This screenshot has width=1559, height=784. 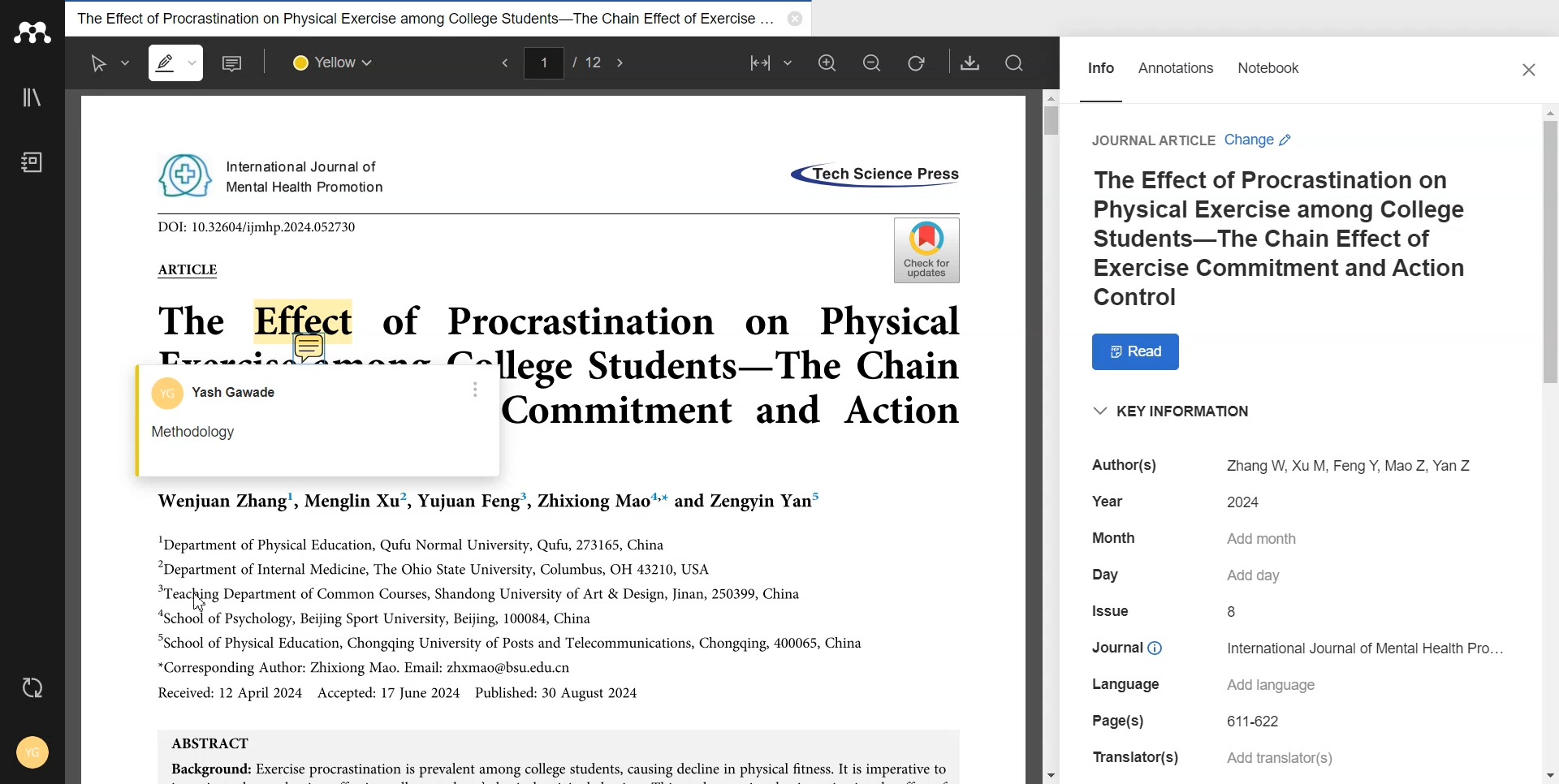 What do you see at coordinates (1198, 539) in the screenshot?
I see `Month Add month` at bounding box center [1198, 539].